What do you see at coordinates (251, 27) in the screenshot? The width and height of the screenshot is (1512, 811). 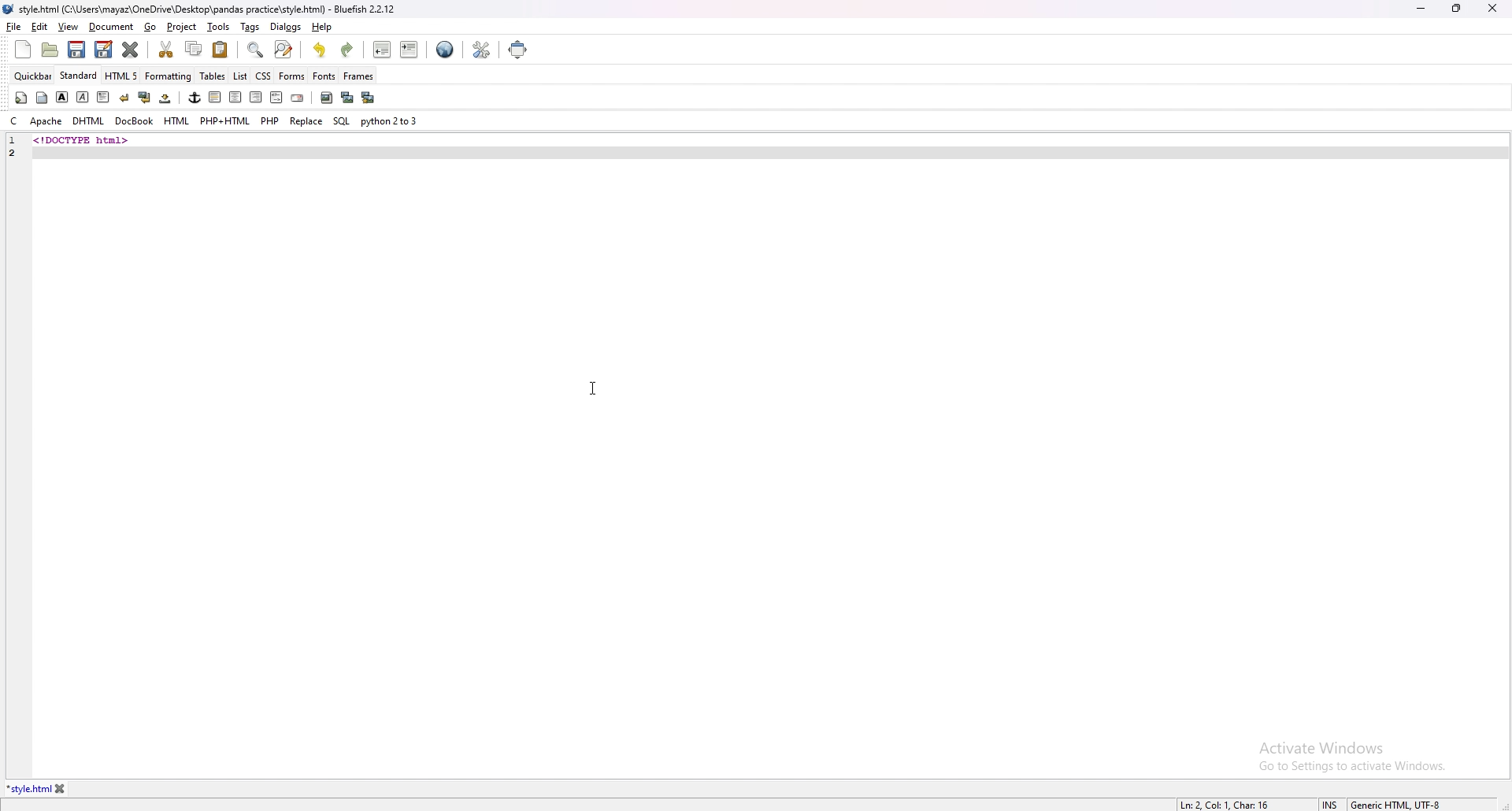 I see `tags` at bounding box center [251, 27].